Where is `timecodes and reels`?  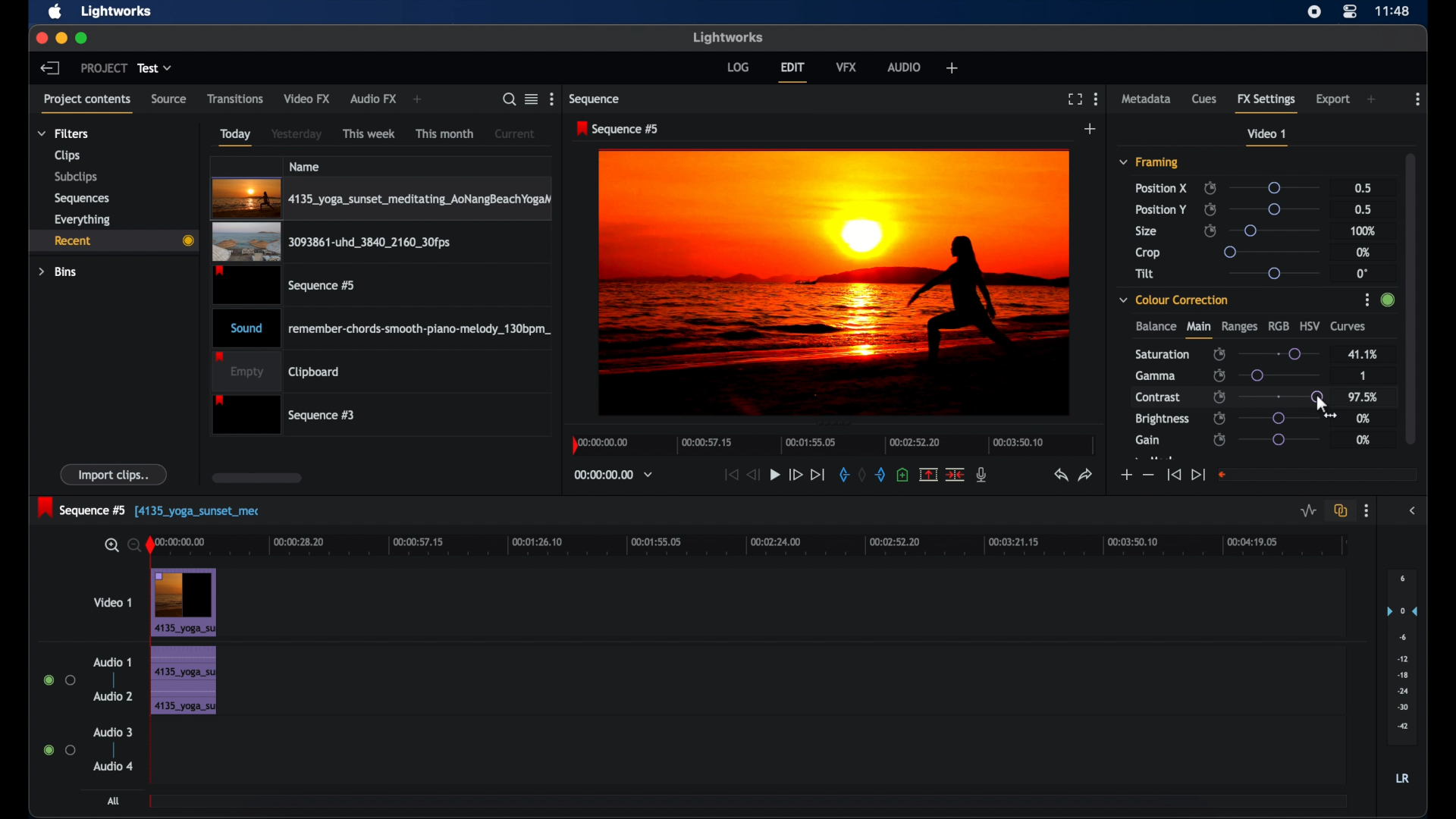 timecodes and reels is located at coordinates (613, 475).